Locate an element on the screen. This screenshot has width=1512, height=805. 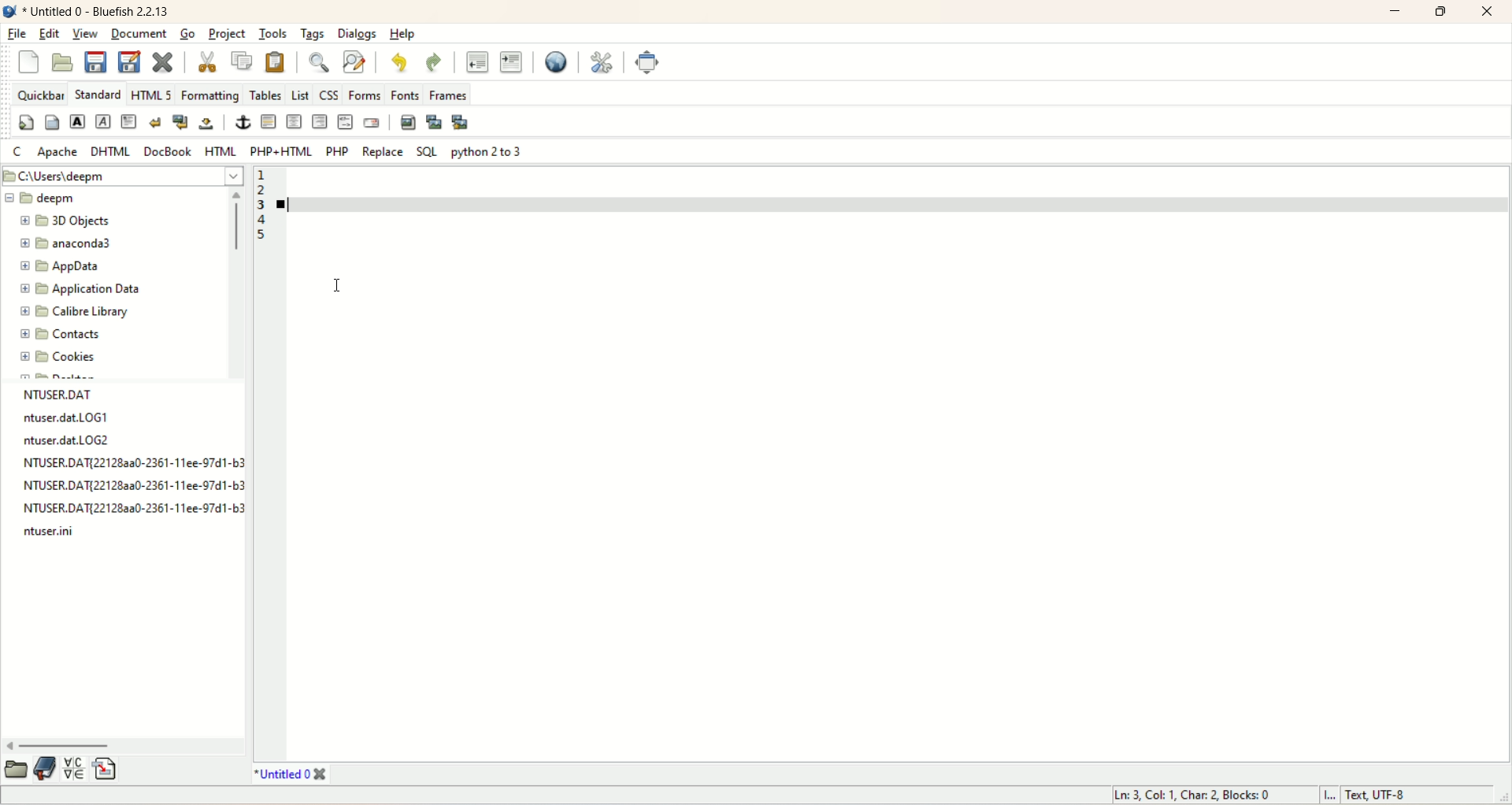
PHP+HTML is located at coordinates (283, 150).